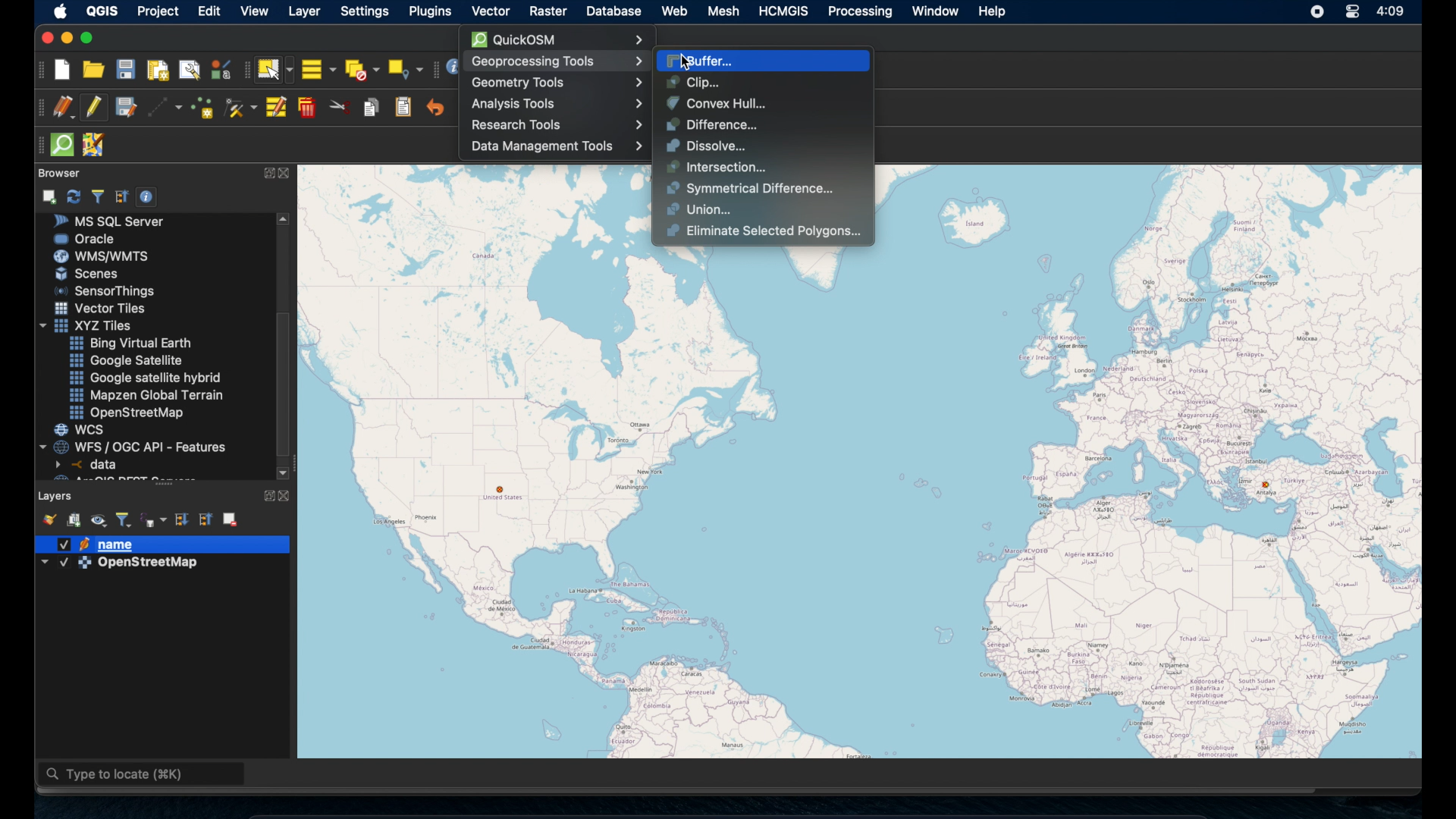 The width and height of the screenshot is (1456, 819). Describe the element at coordinates (63, 145) in the screenshot. I see `quicksom` at that location.